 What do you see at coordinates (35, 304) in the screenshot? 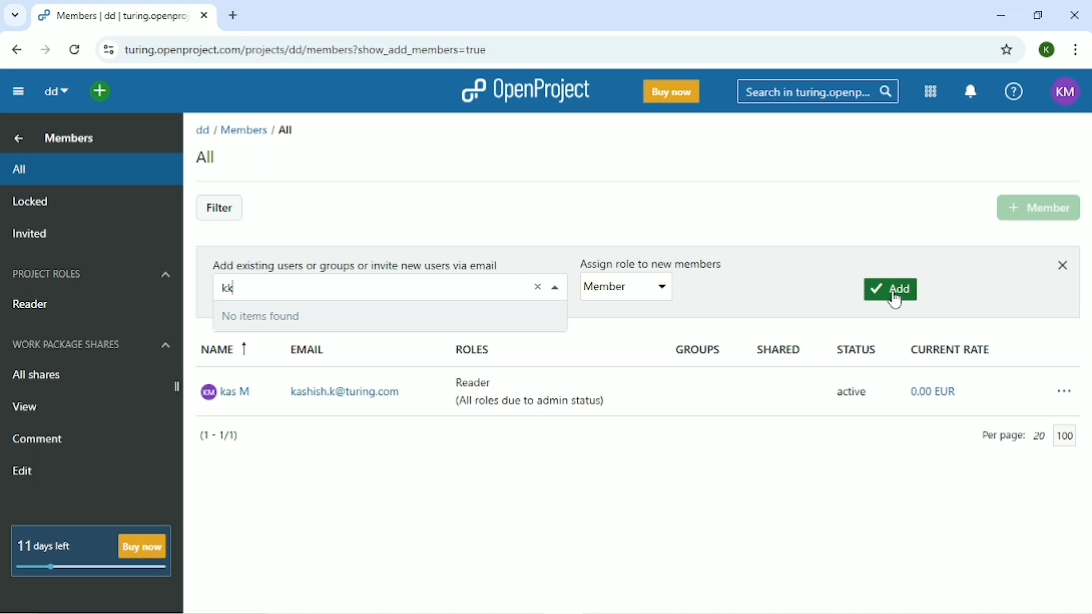
I see `Reader` at bounding box center [35, 304].